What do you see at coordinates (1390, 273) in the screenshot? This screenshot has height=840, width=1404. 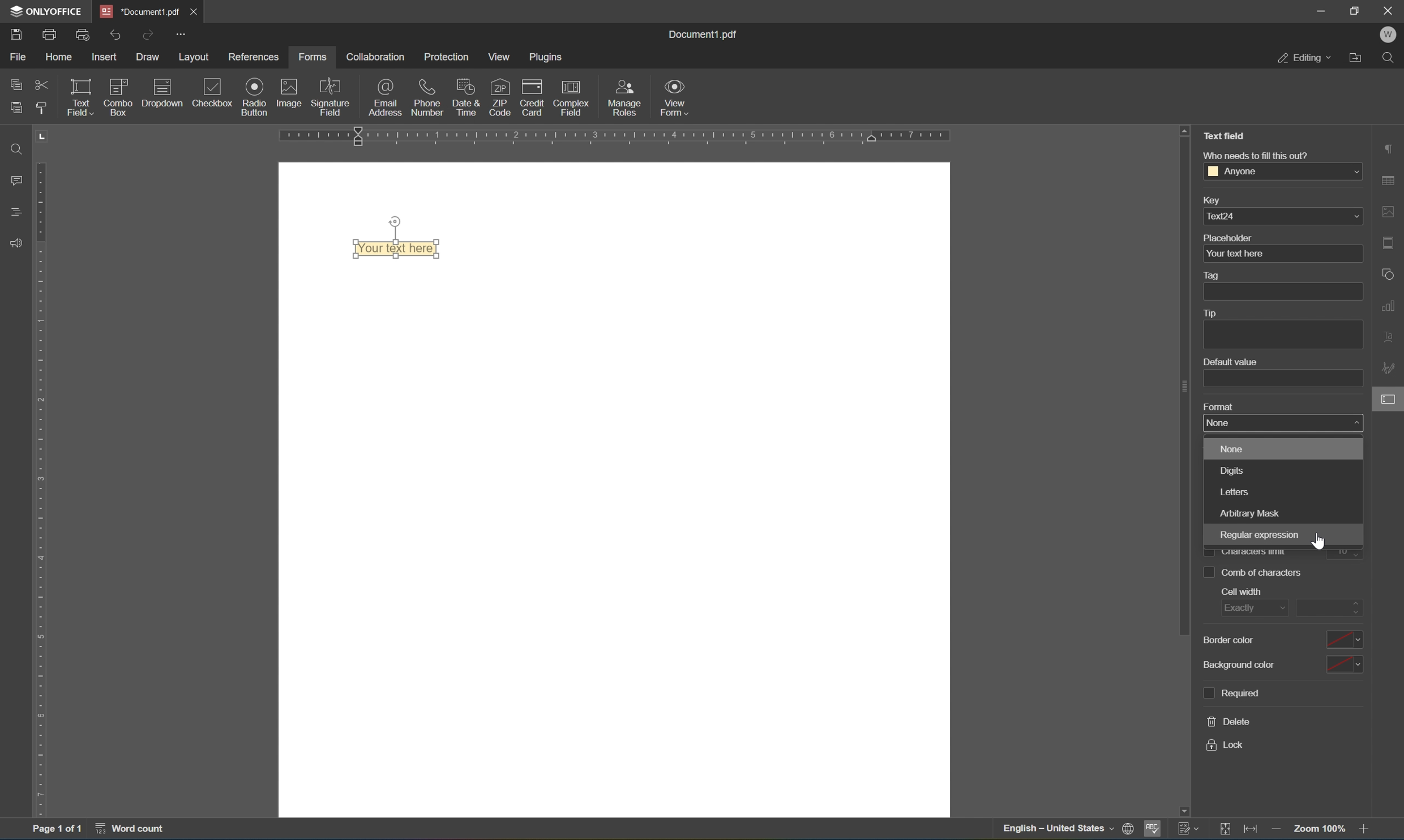 I see `shape settings` at bounding box center [1390, 273].